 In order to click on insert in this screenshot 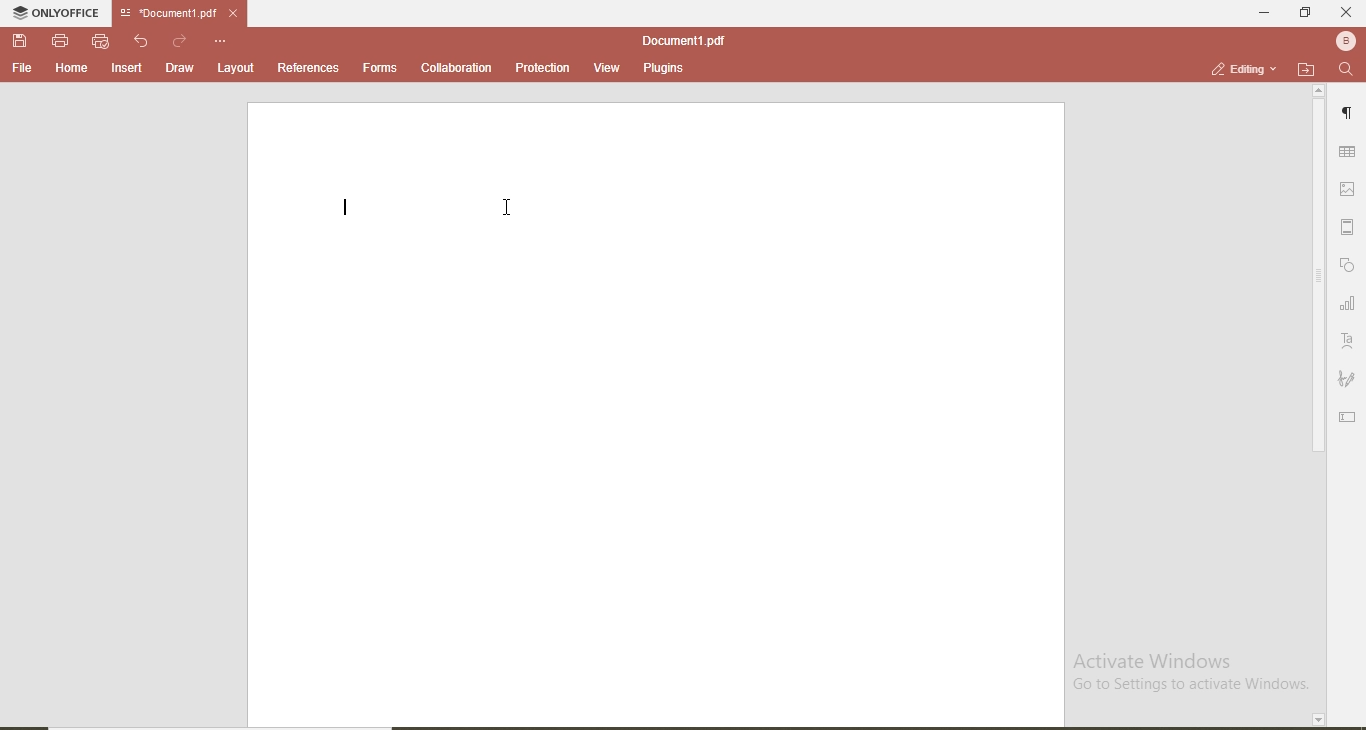, I will do `click(128, 69)`.